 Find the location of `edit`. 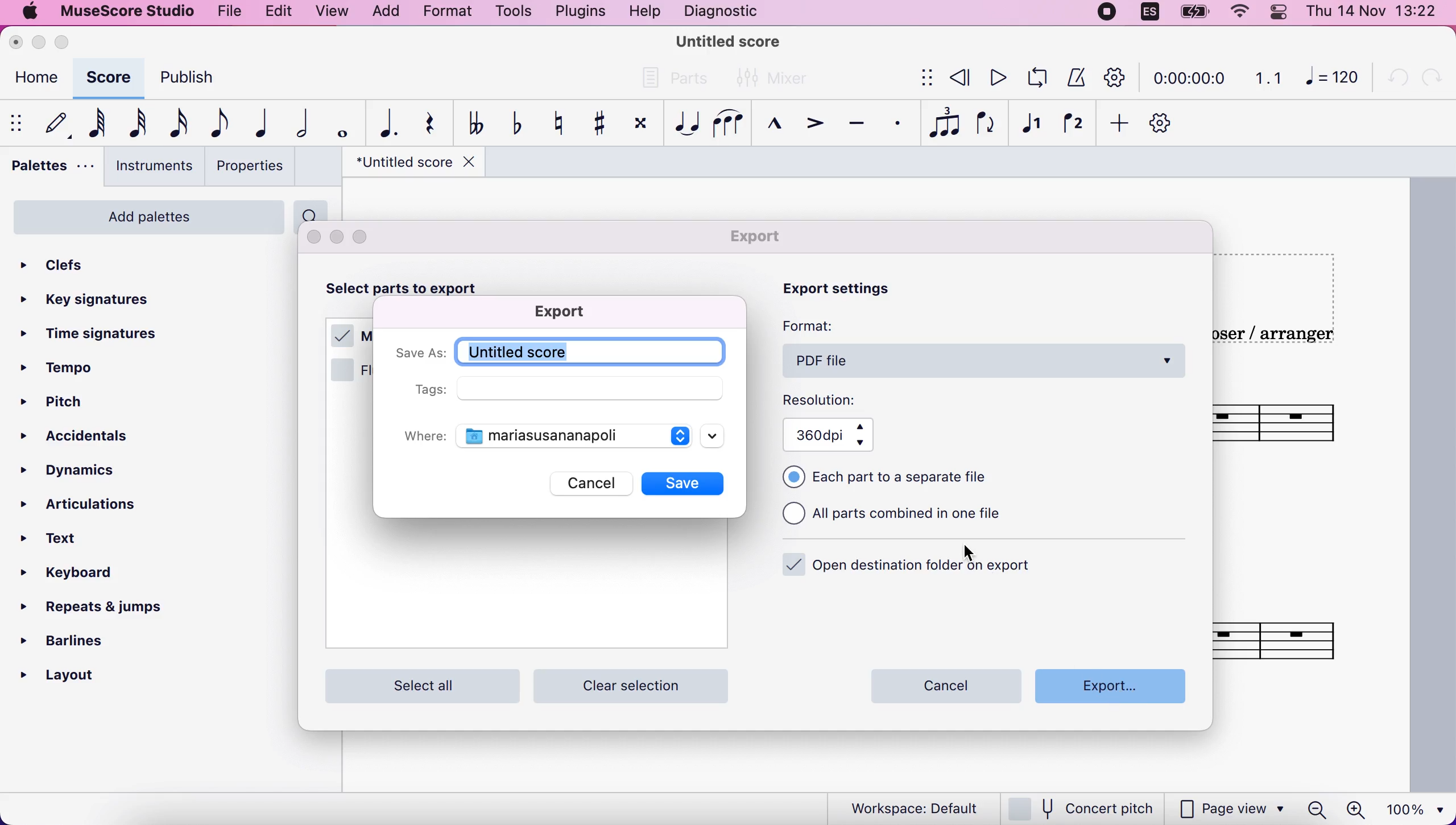

edit is located at coordinates (275, 13).